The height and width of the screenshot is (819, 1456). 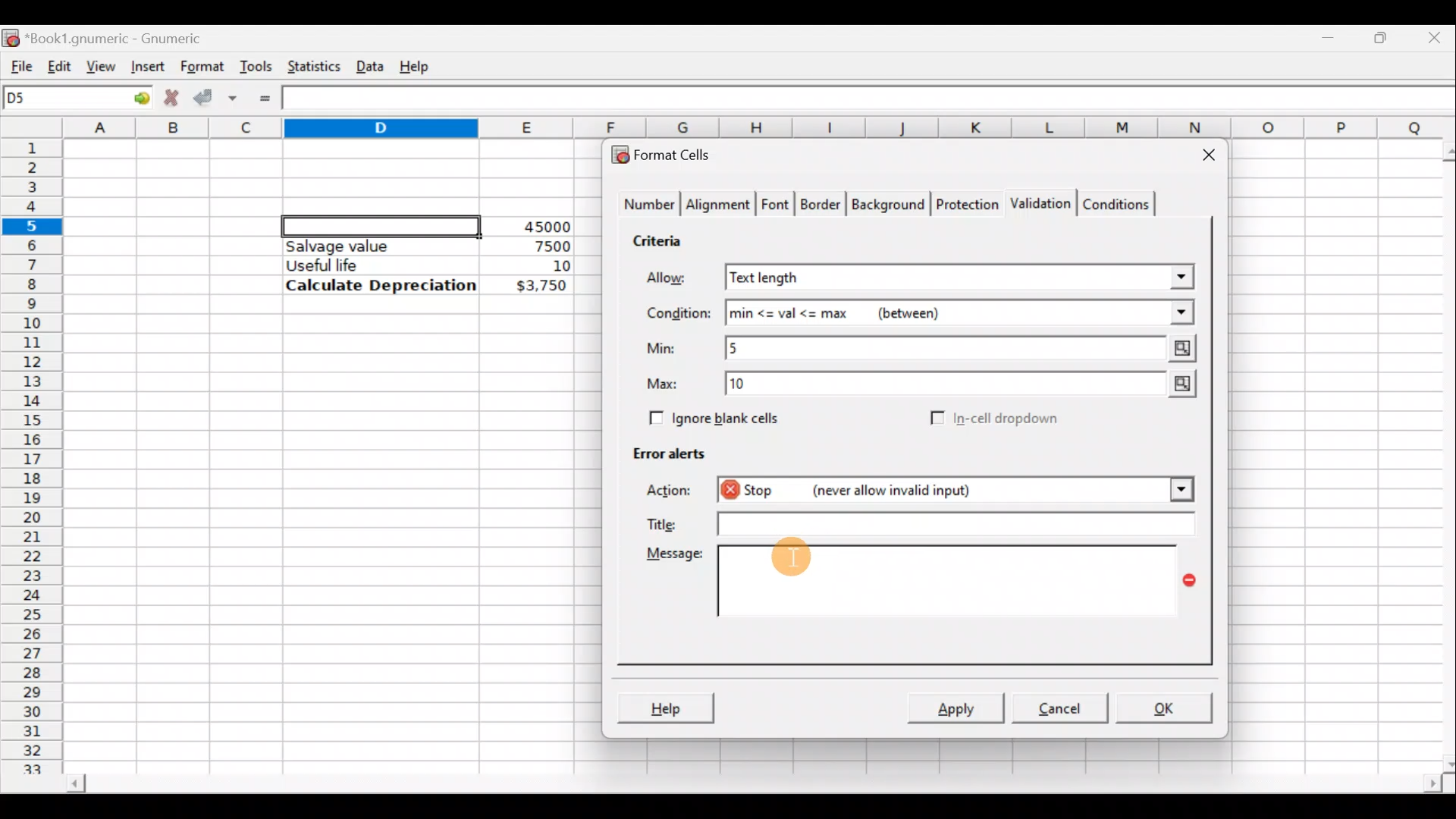 What do you see at coordinates (887, 203) in the screenshot?
I see `Background` at bounding box center [887, 203].